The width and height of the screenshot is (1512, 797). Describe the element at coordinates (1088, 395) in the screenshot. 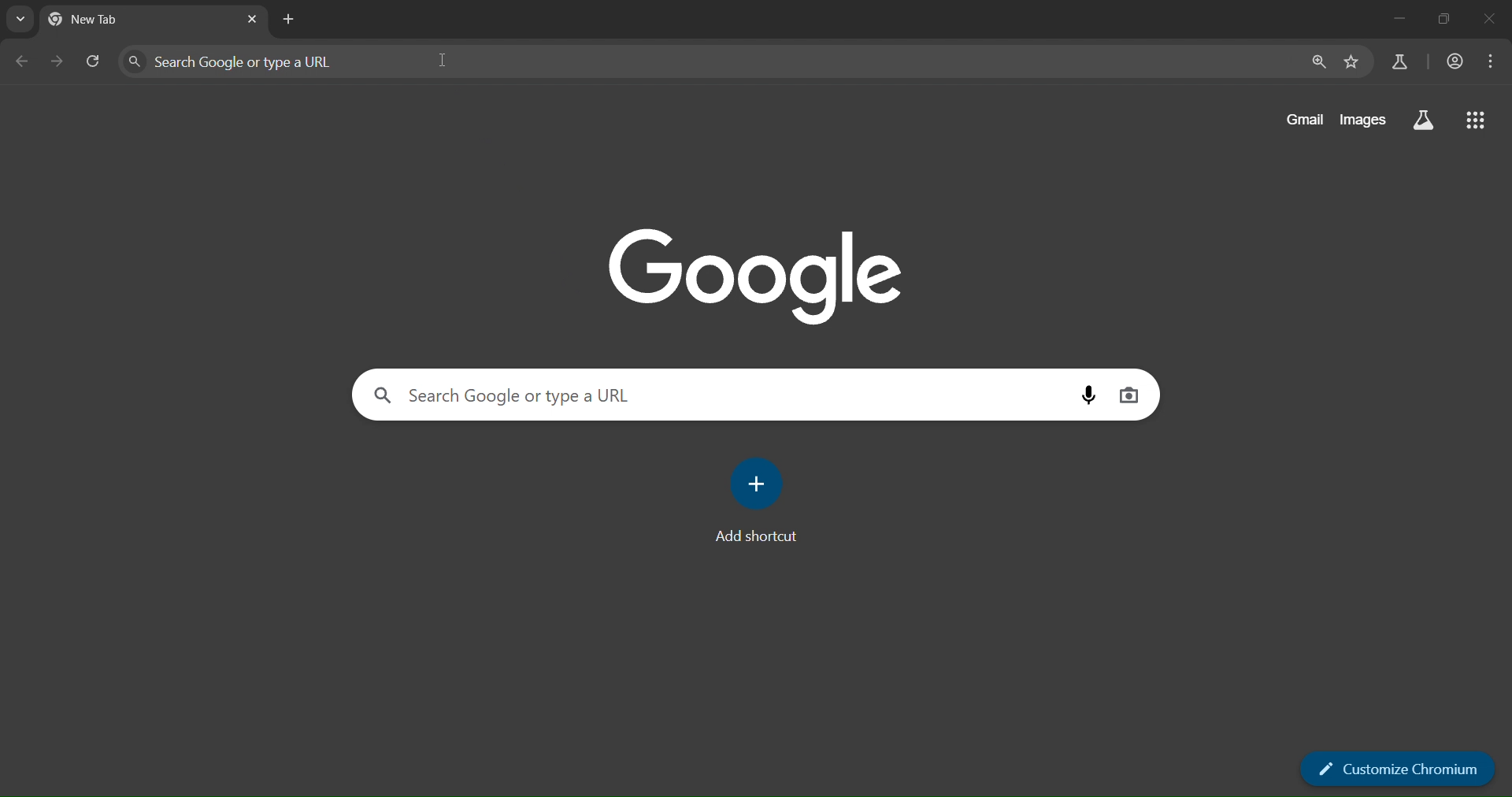

I see `voice search` at that location.